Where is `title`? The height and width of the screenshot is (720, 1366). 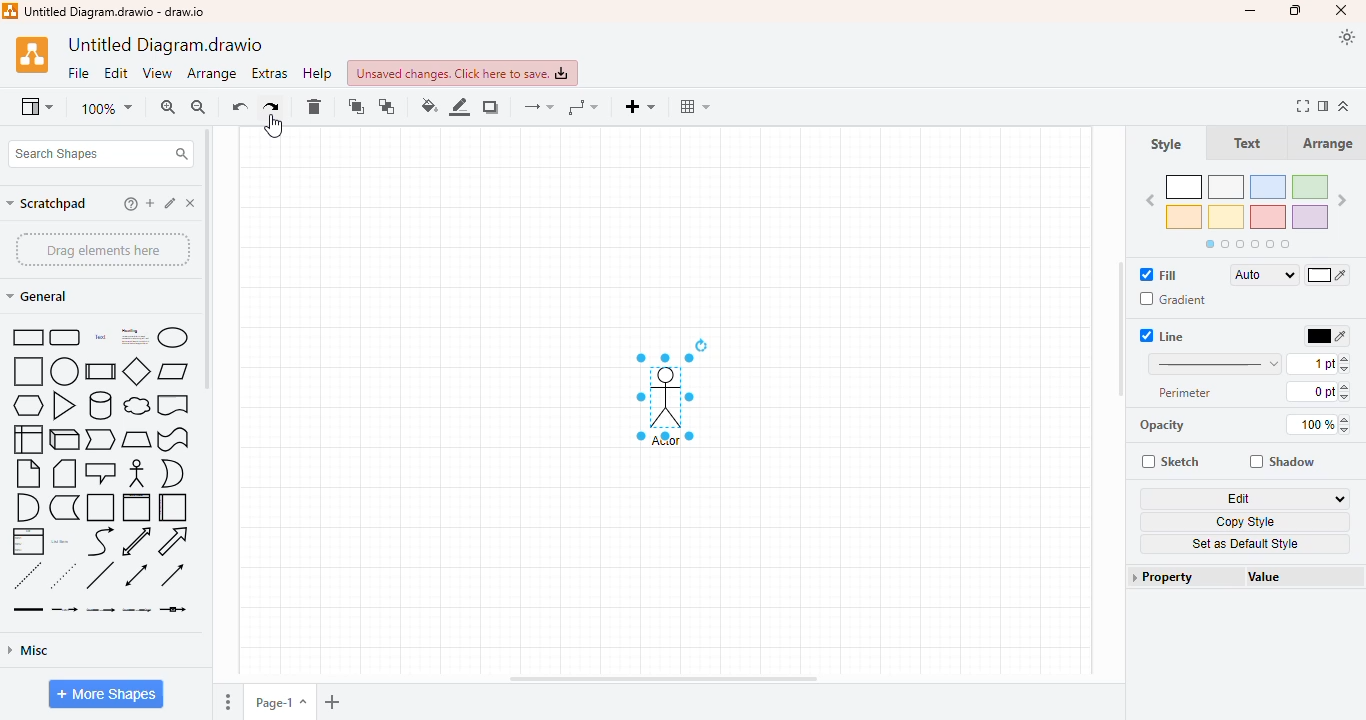
title is located at coordinates (163, 45).